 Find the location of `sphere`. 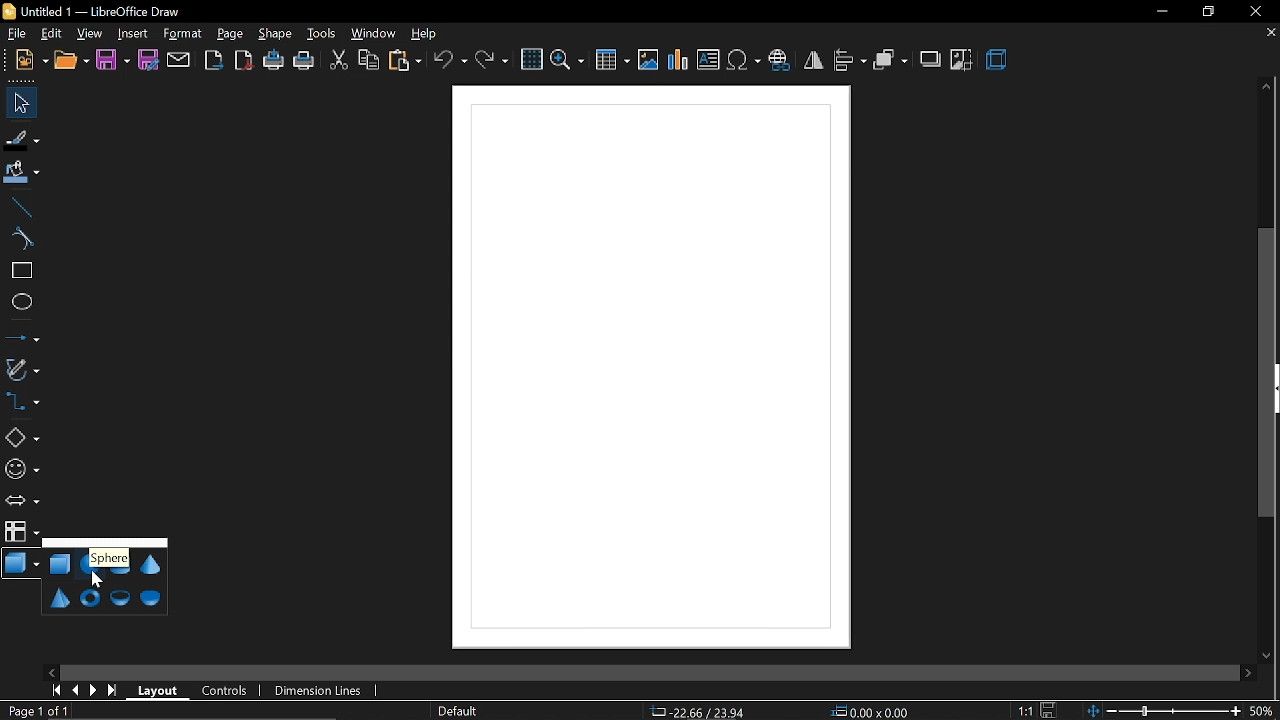

sphere is located at coordinates (92, 565).